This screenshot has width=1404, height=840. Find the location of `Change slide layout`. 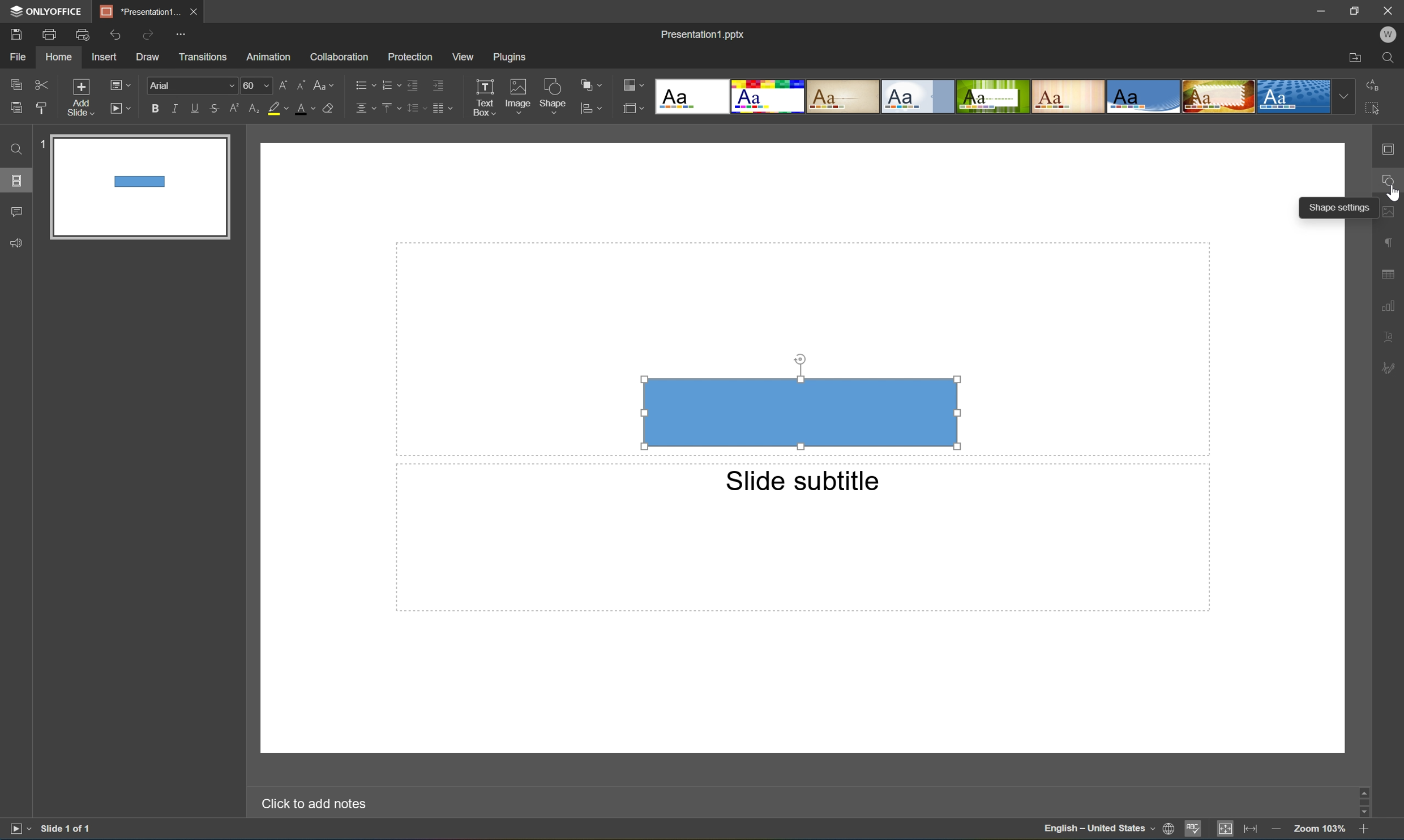

Change slide layout is located at coordinates (121, 84).